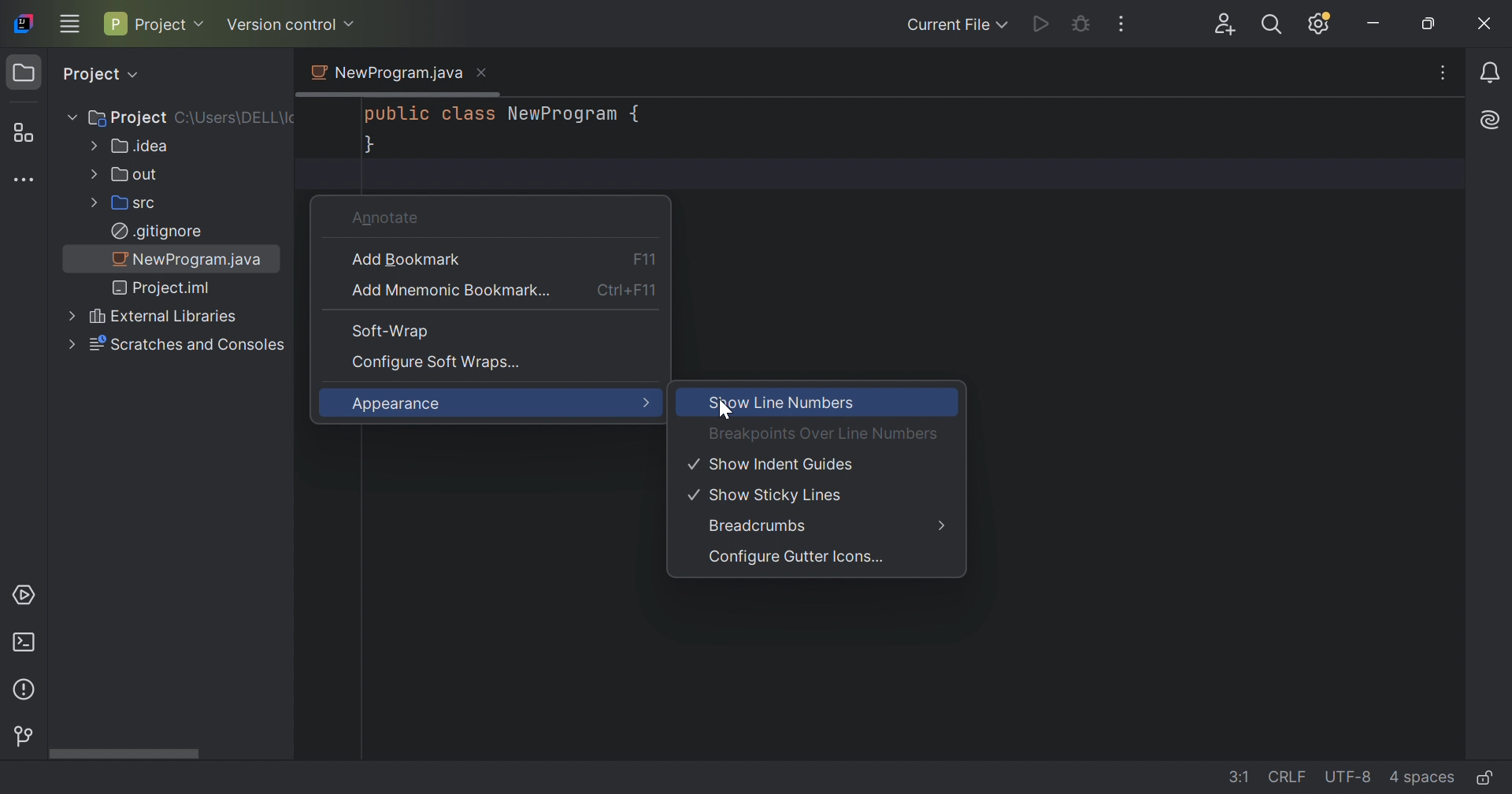 Image resolution: width=1512 pixels, height=794 pixels. Describe the element at coordinates (23, 595) in the screenshot. I see `Services` at that location.